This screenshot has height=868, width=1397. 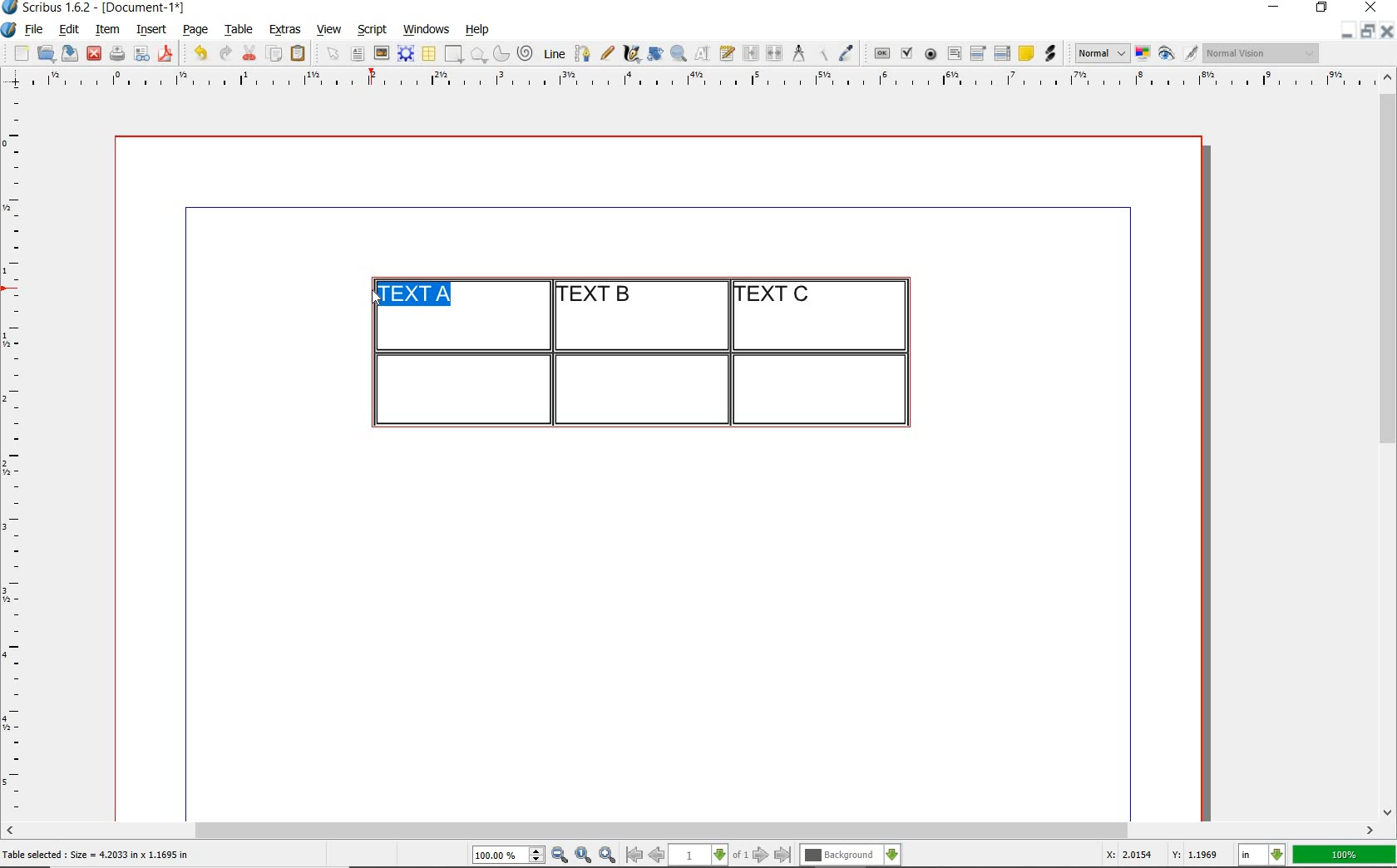 What do you see at coordinates (954, 55) in the screenshot?
I see `pdf text field` at bounding box center [954, 55].